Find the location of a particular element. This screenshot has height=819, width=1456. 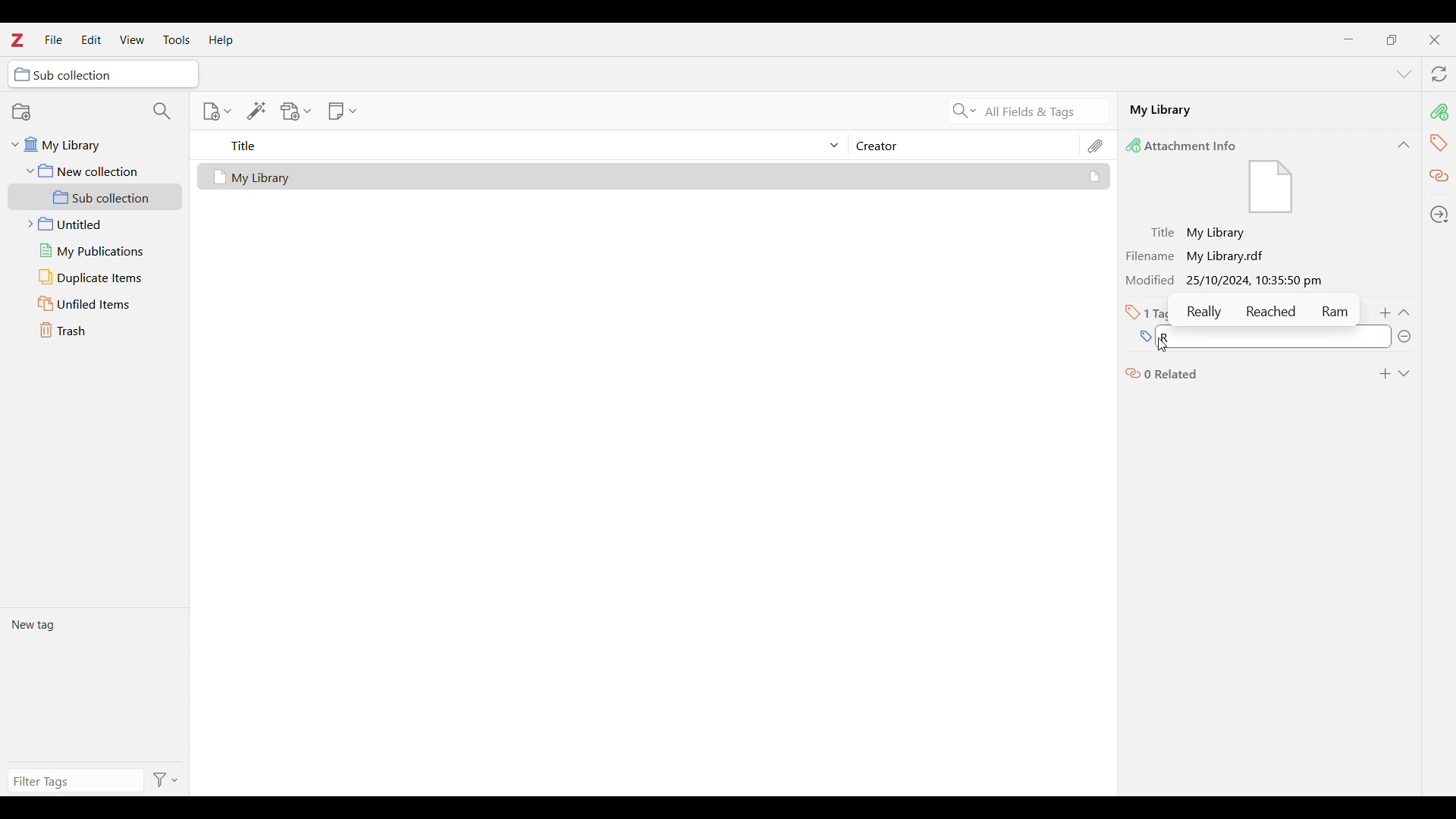

Sub collection folder is located at coordinates (96, 197).